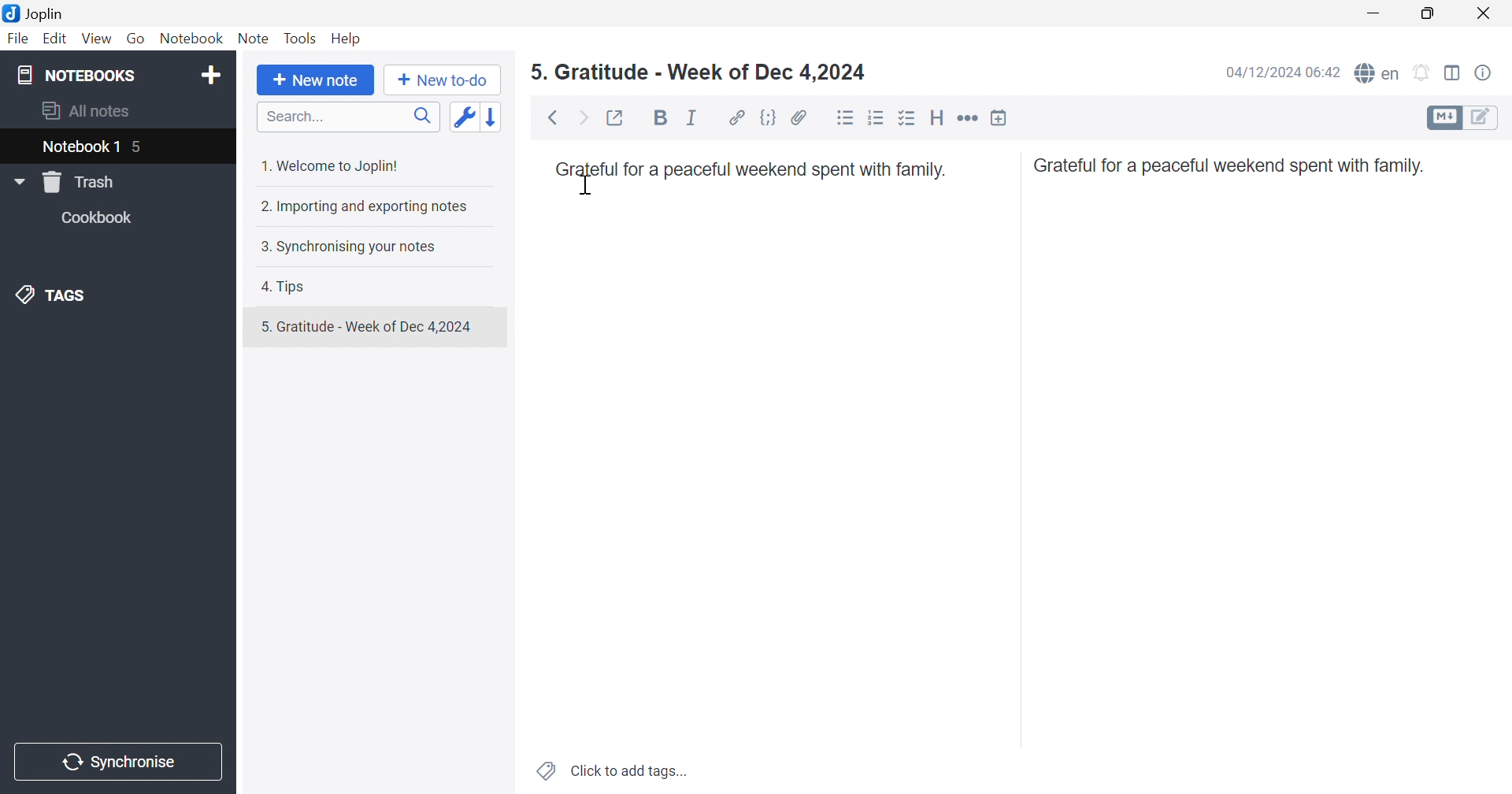 The image size is (1512, 794). I want to click on Restore Down, so click(1430, 15).